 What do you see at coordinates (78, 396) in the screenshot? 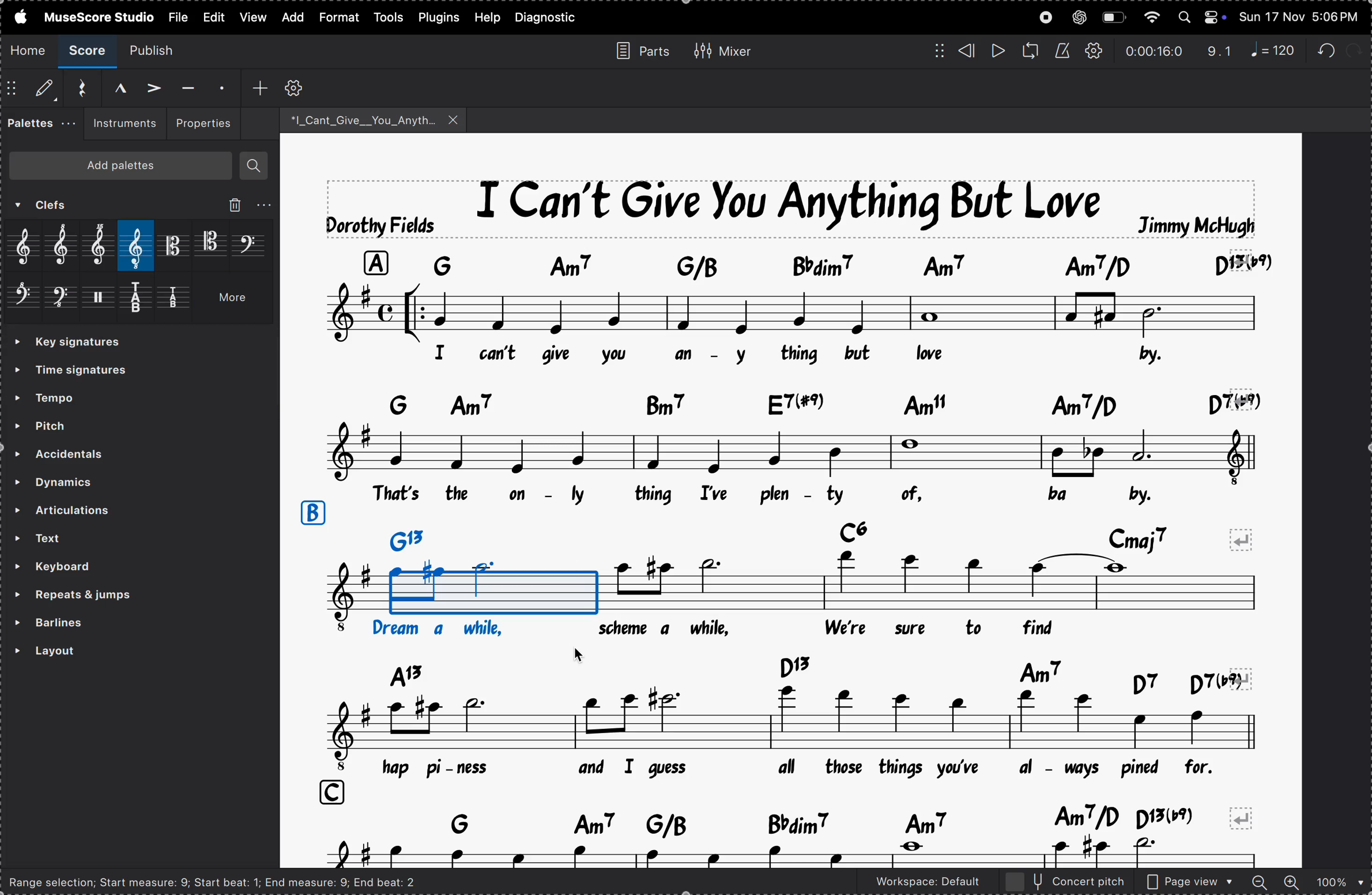
I see `tempo` at bounding box center [78, 396].